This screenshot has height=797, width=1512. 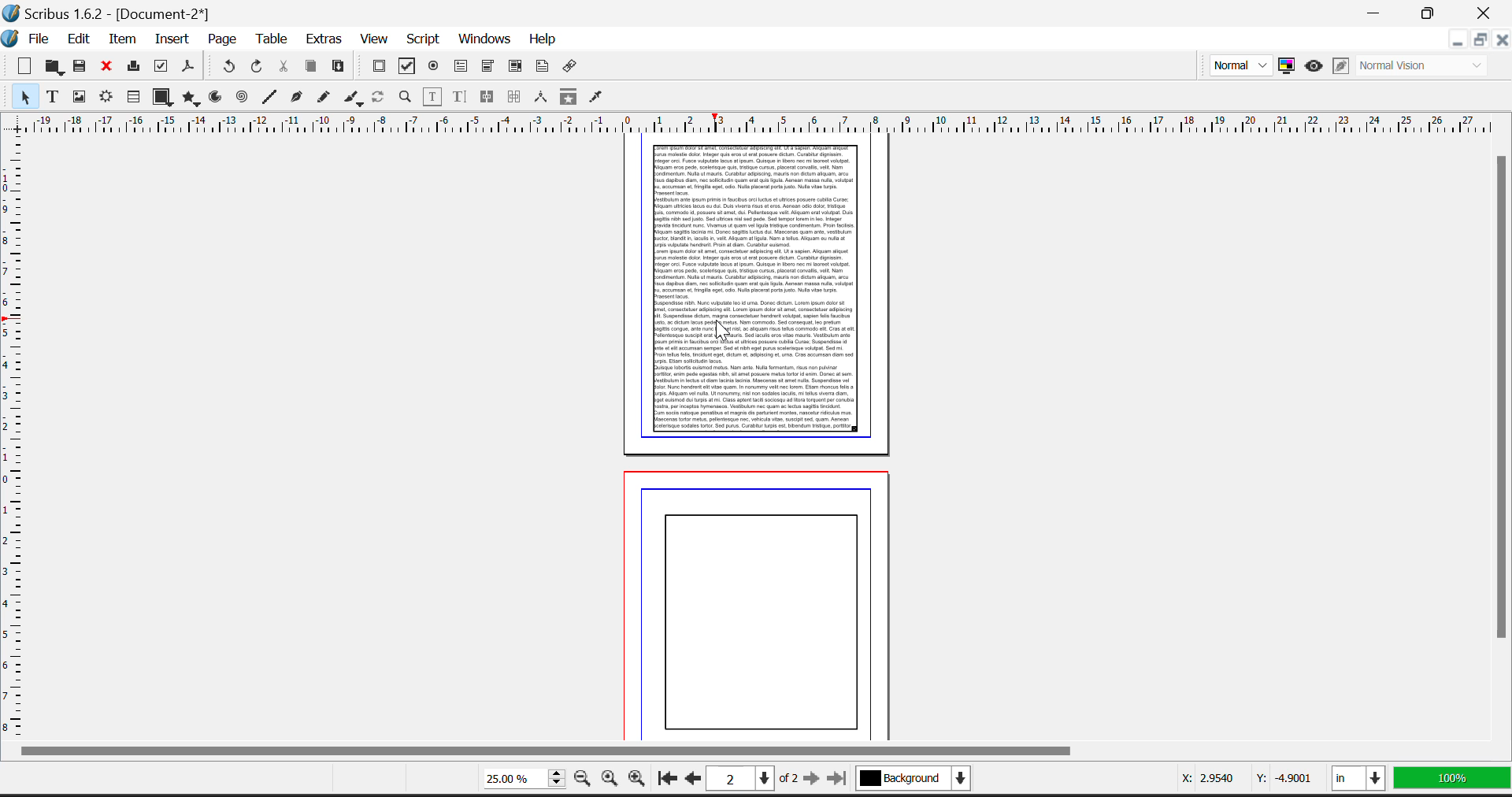 I want to click on Text Annotation, so click(x=544, y=68).